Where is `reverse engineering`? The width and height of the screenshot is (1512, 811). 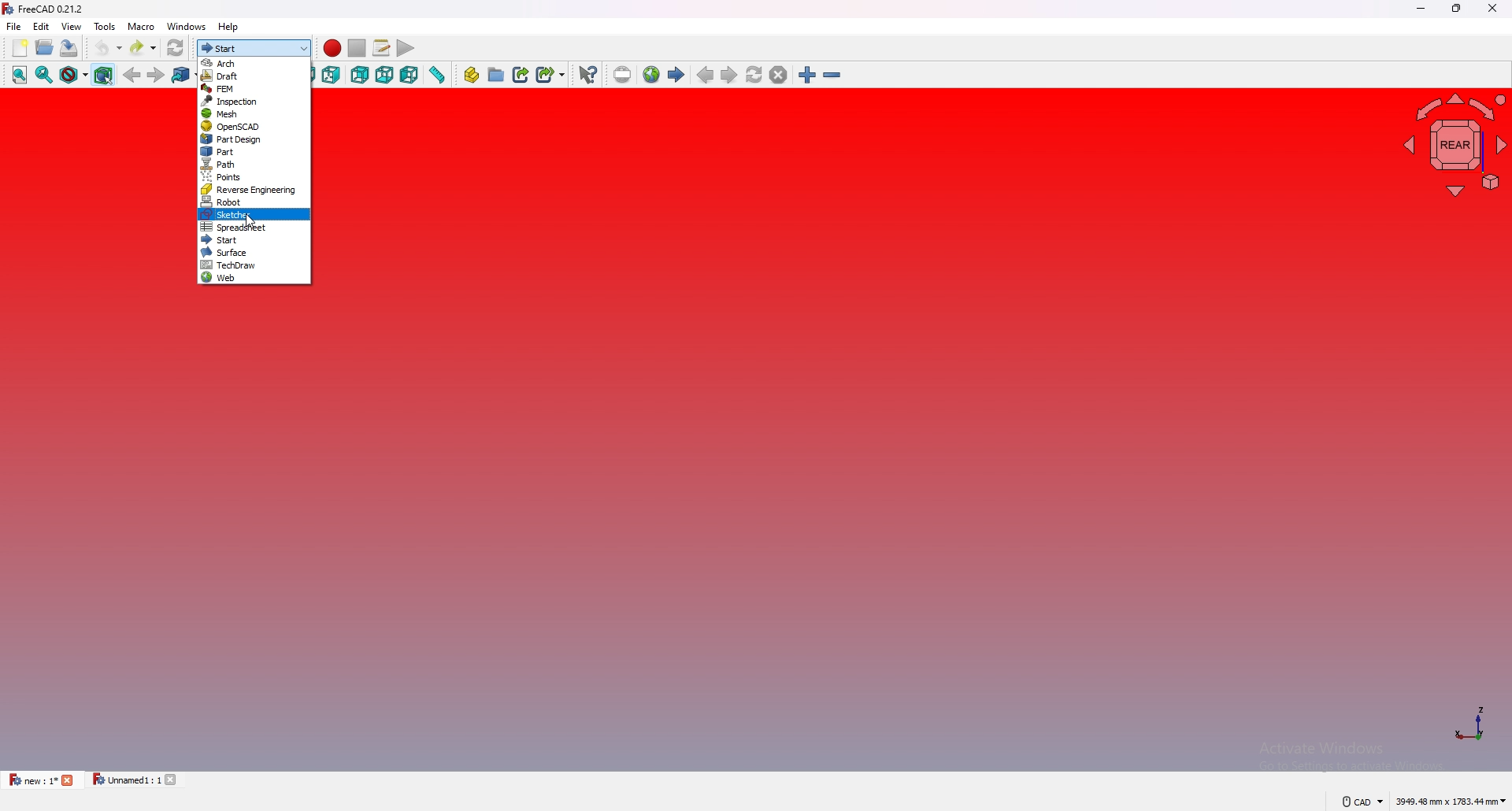
reverse engineering is located at coordinates (256, 189).